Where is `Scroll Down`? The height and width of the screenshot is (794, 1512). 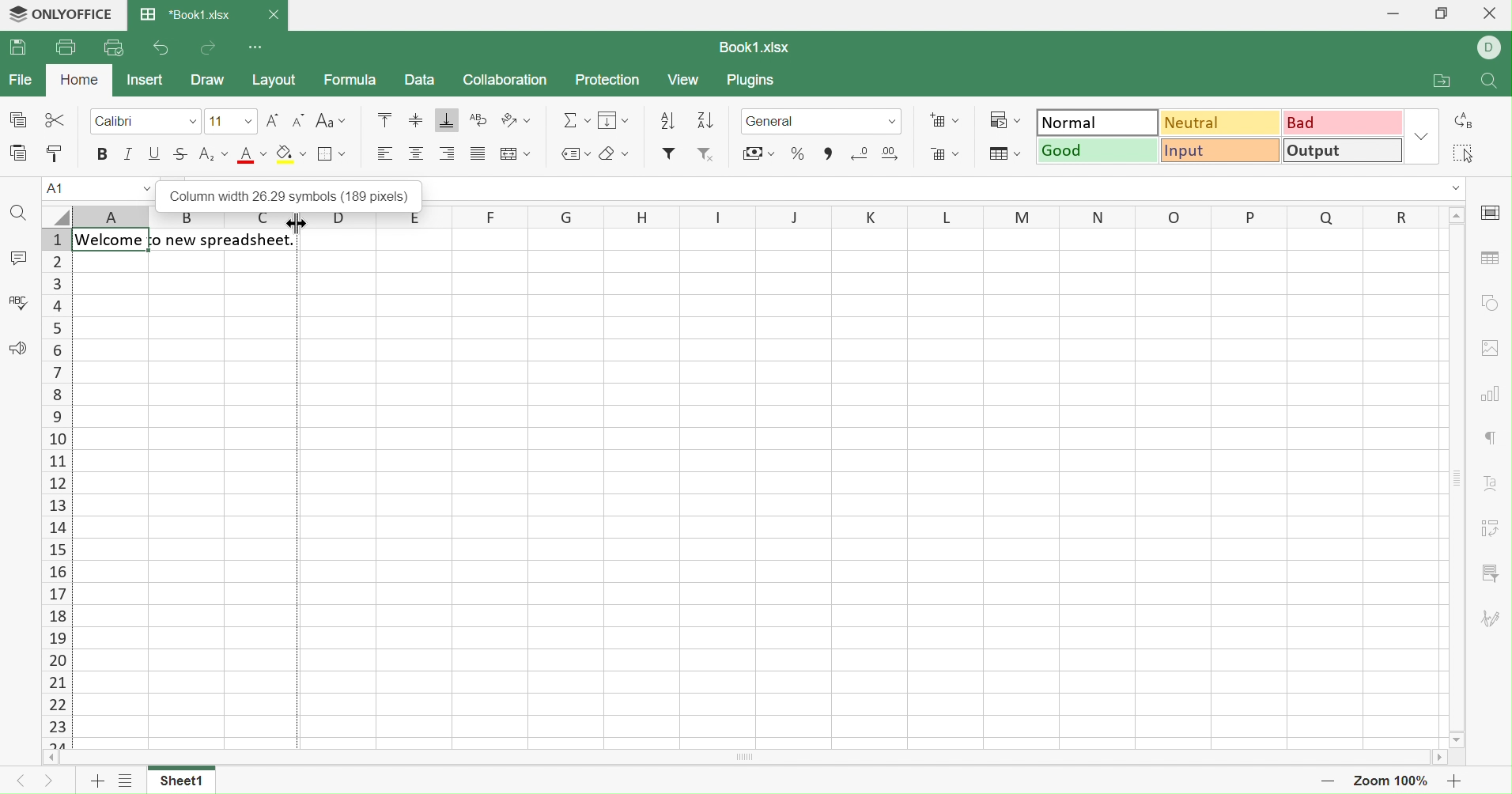
Scroll Down is located at coordinates (1458, 738).